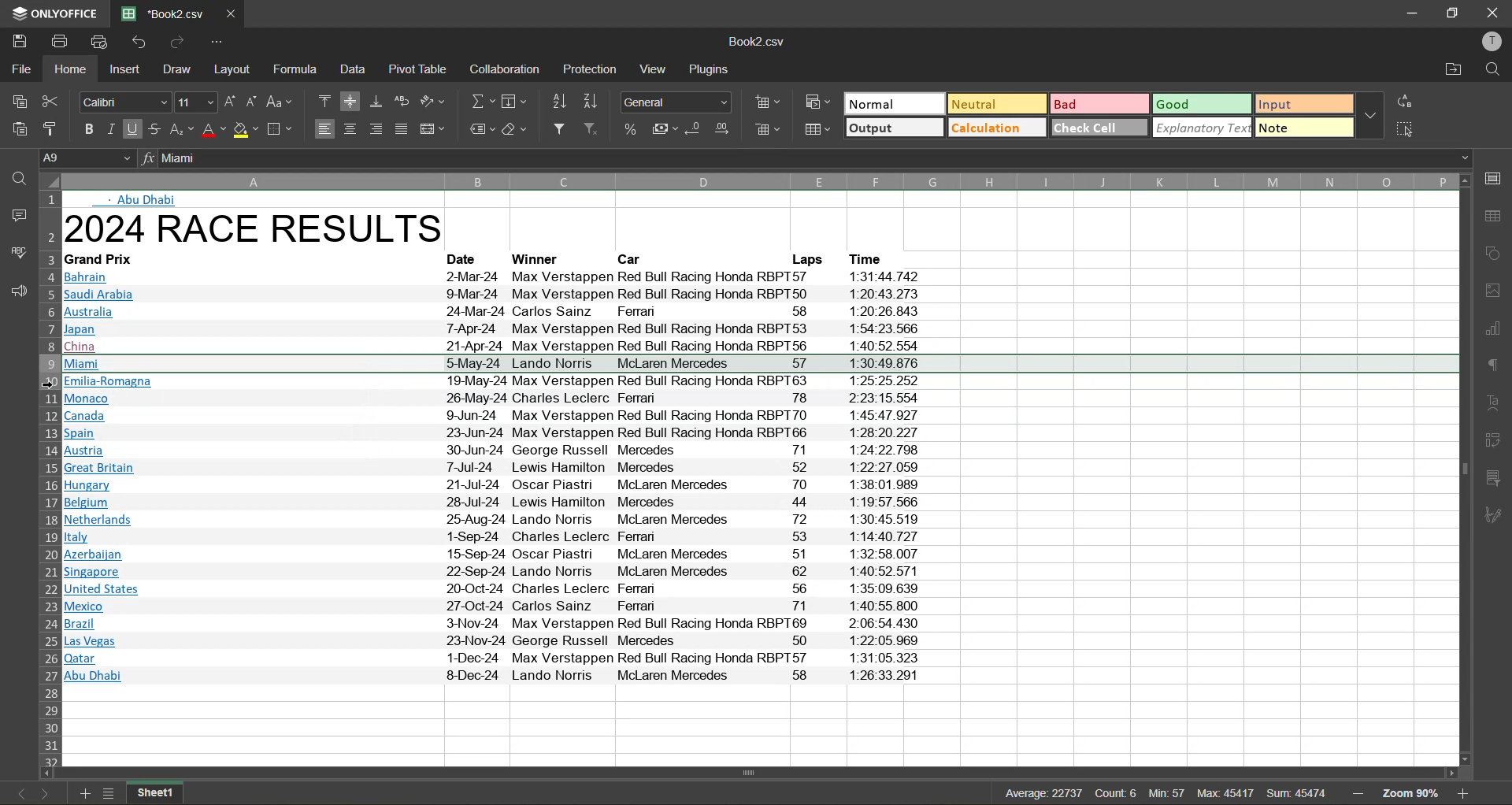 The width and height of the screenshot is (1512, 805). Describe the element at coordinates (1497, 368) in the screenshot. I see `paragraph` at that location.